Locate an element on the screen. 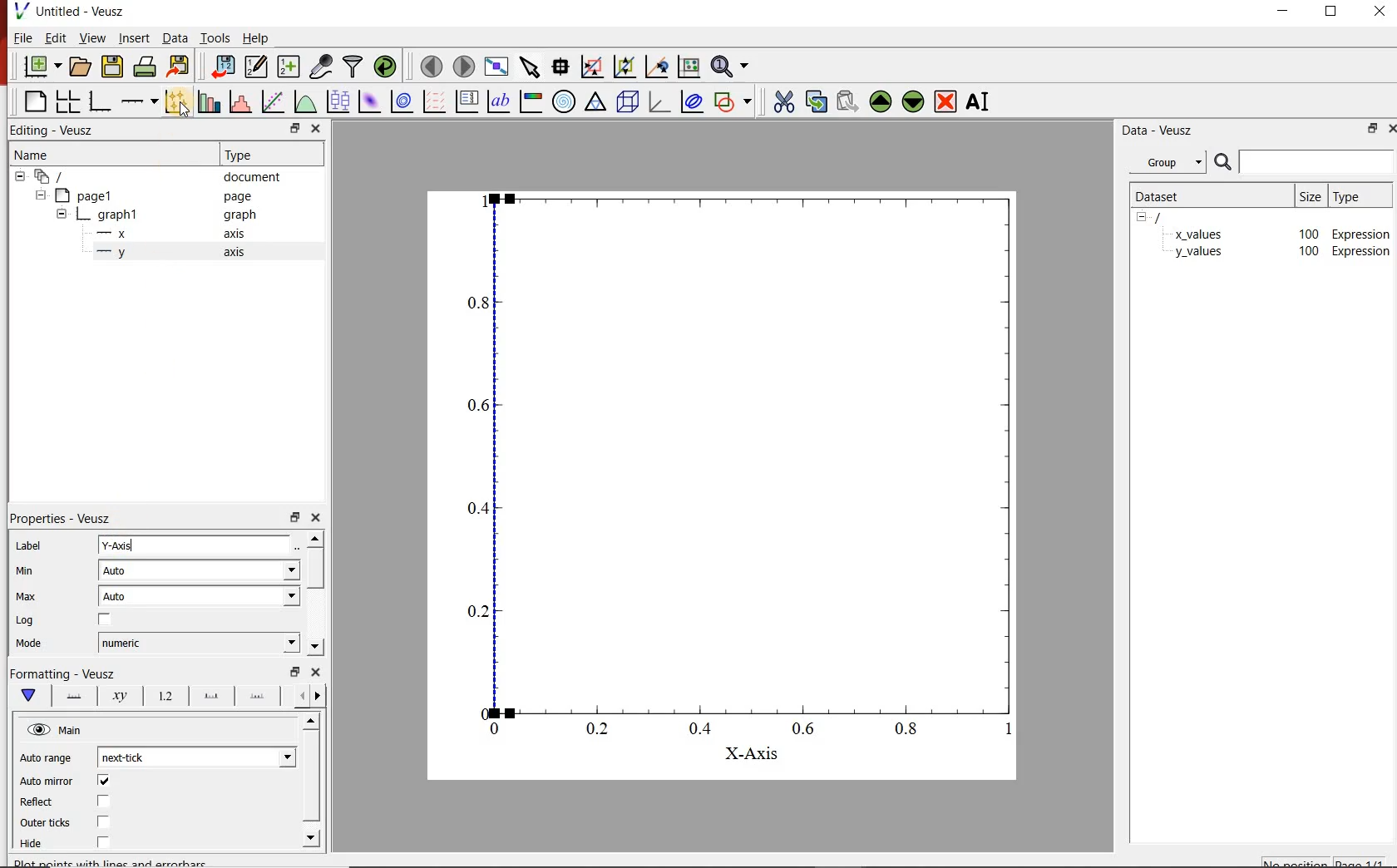 The height and width of the screenshot is (868, 1397). graph is located at coordinates (719, 461).